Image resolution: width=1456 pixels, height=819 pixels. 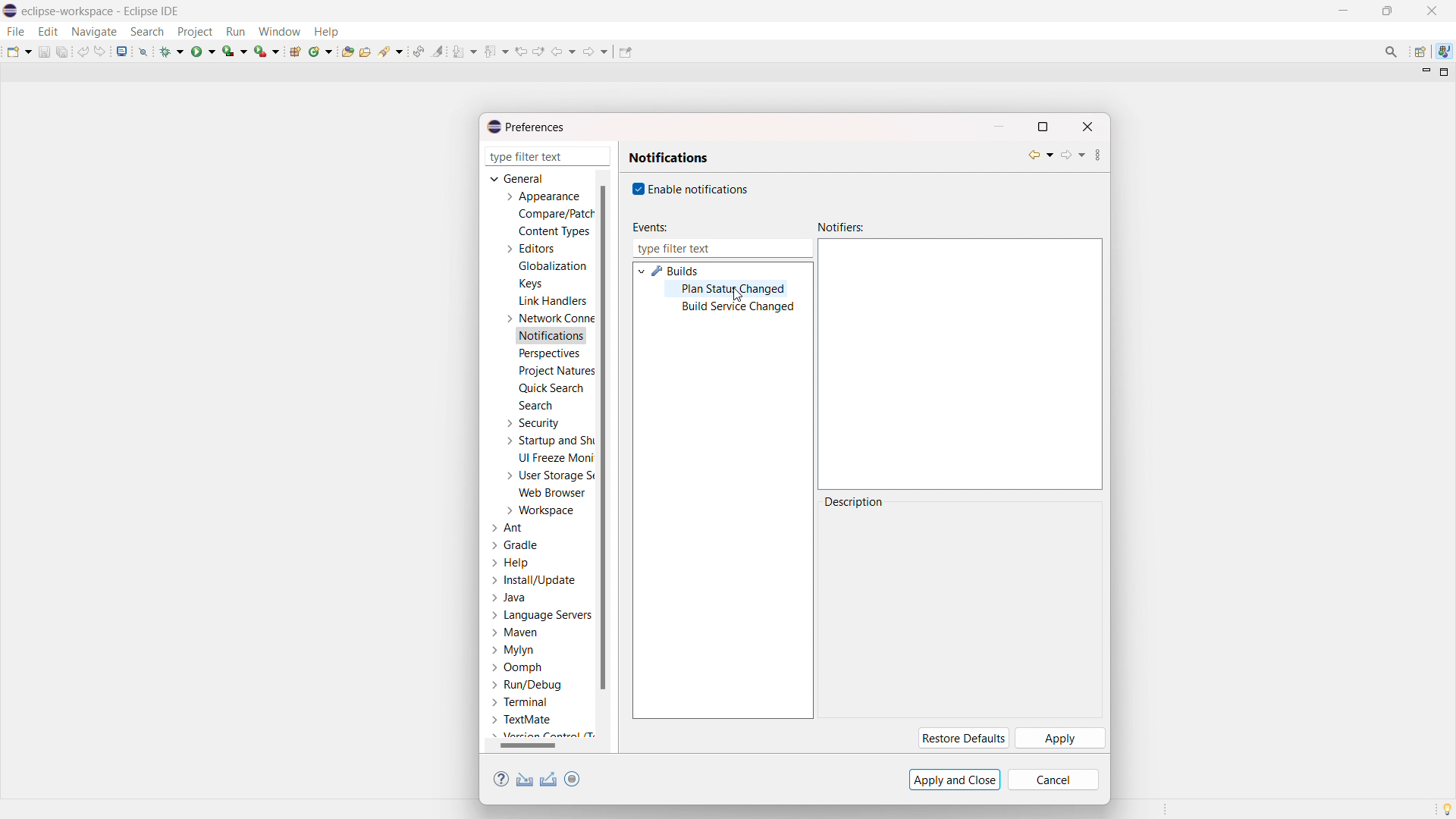 What do you see at coordinates (563, 52) in the screenshot?
I see `back` at bounding box center [563, 52].